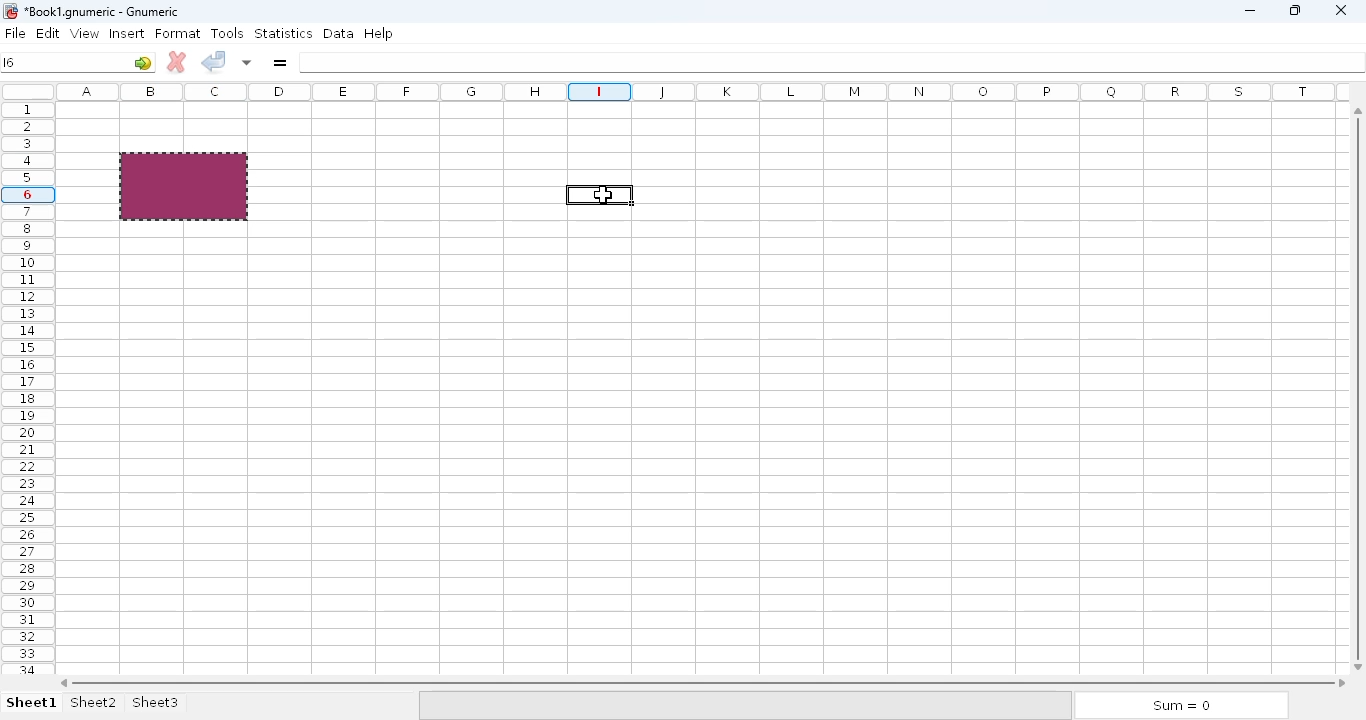  I want to click on sheet3, so click(156, 701).